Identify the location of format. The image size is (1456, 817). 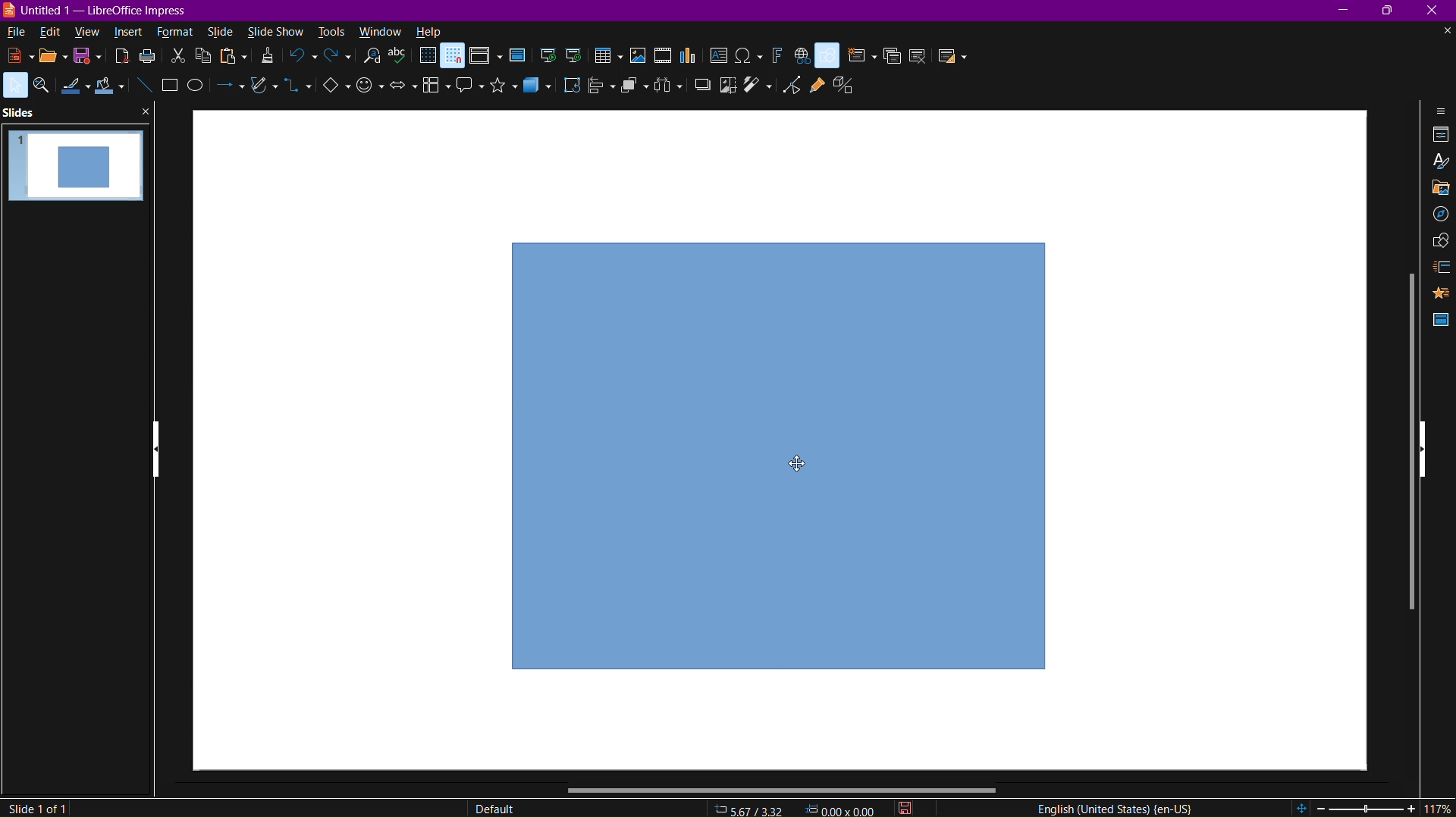
(179, 32).